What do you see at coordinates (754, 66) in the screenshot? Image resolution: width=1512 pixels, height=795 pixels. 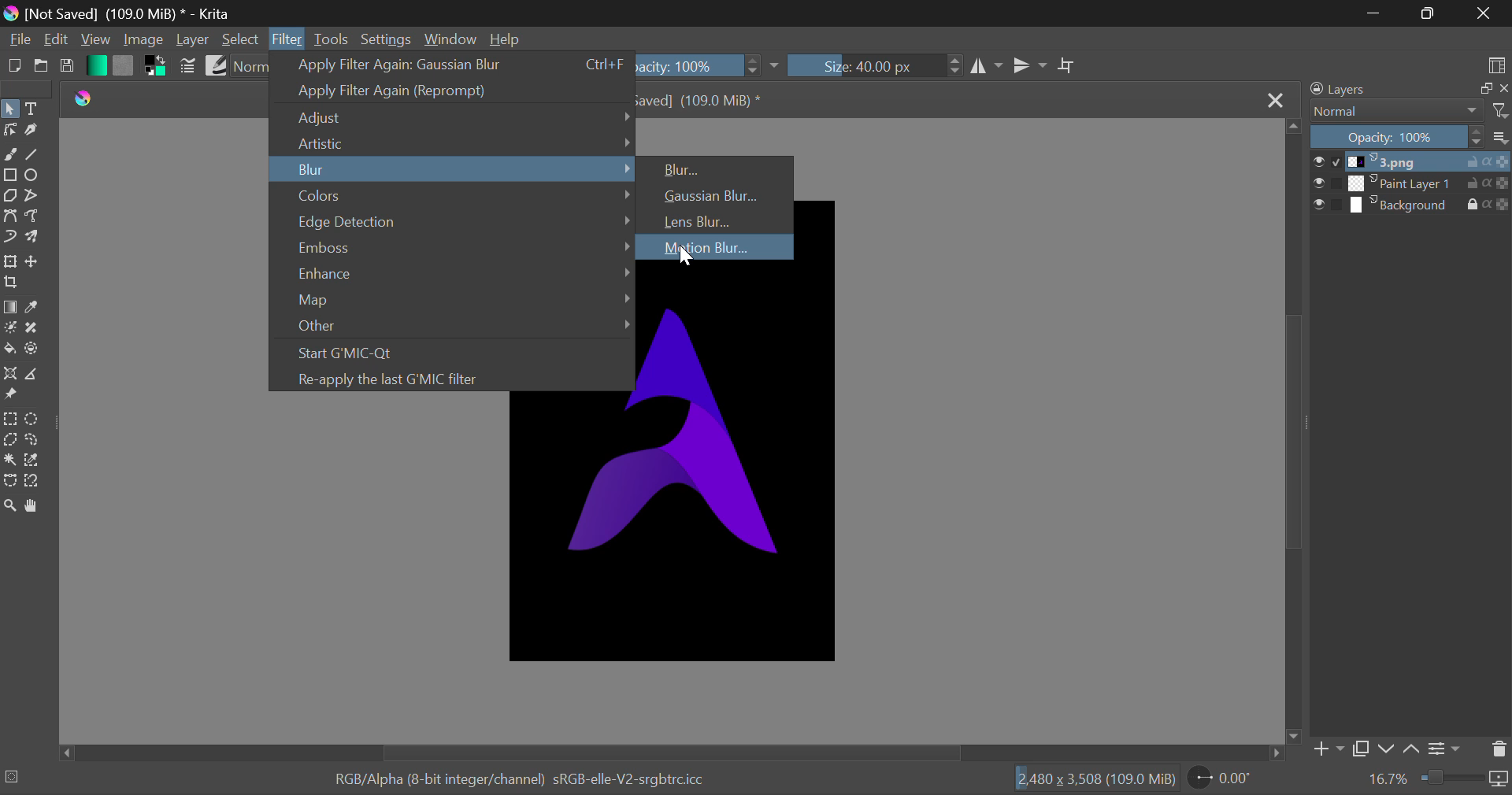 I see `increase or decrease opacity` at bounding box center [754, 66].